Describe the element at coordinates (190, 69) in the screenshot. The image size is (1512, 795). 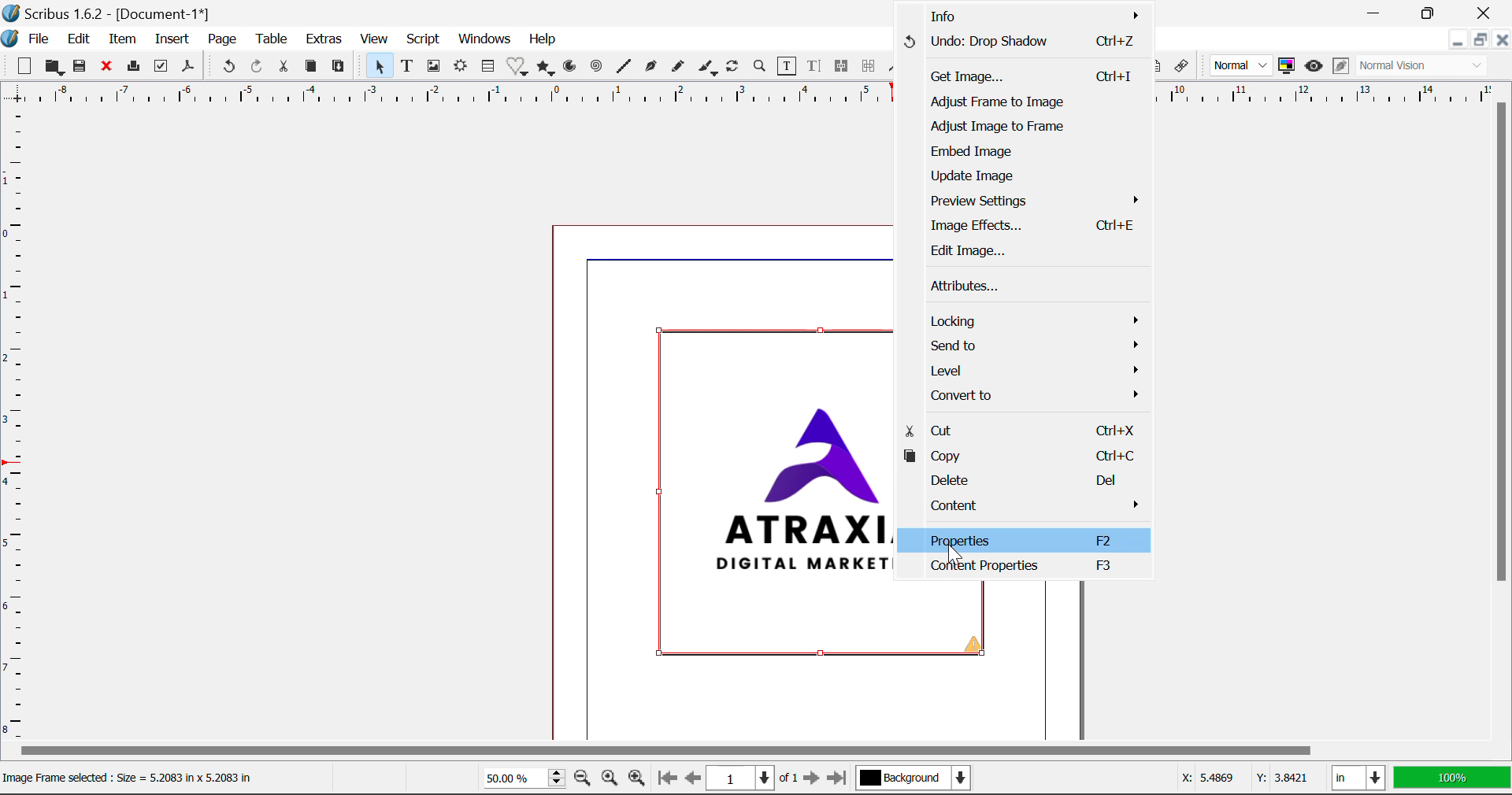
I see `Save as Pdf` at that location.